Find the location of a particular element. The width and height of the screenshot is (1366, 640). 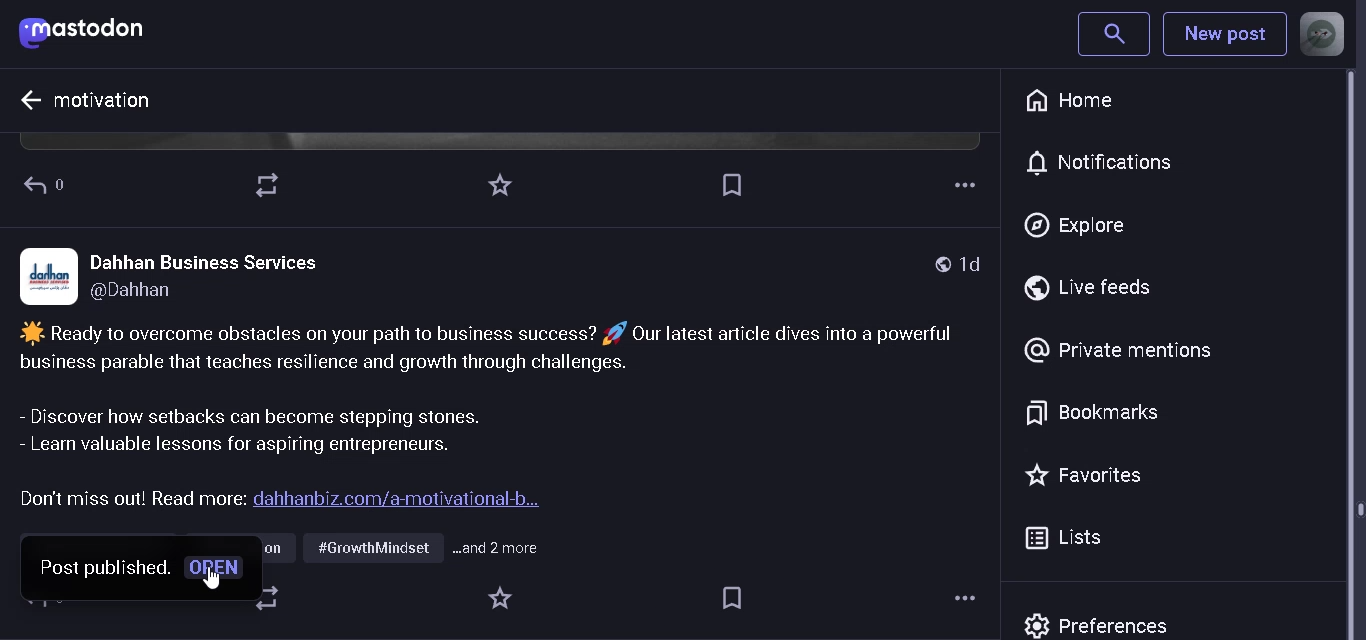

Tag is located at coordinates (732, 184).